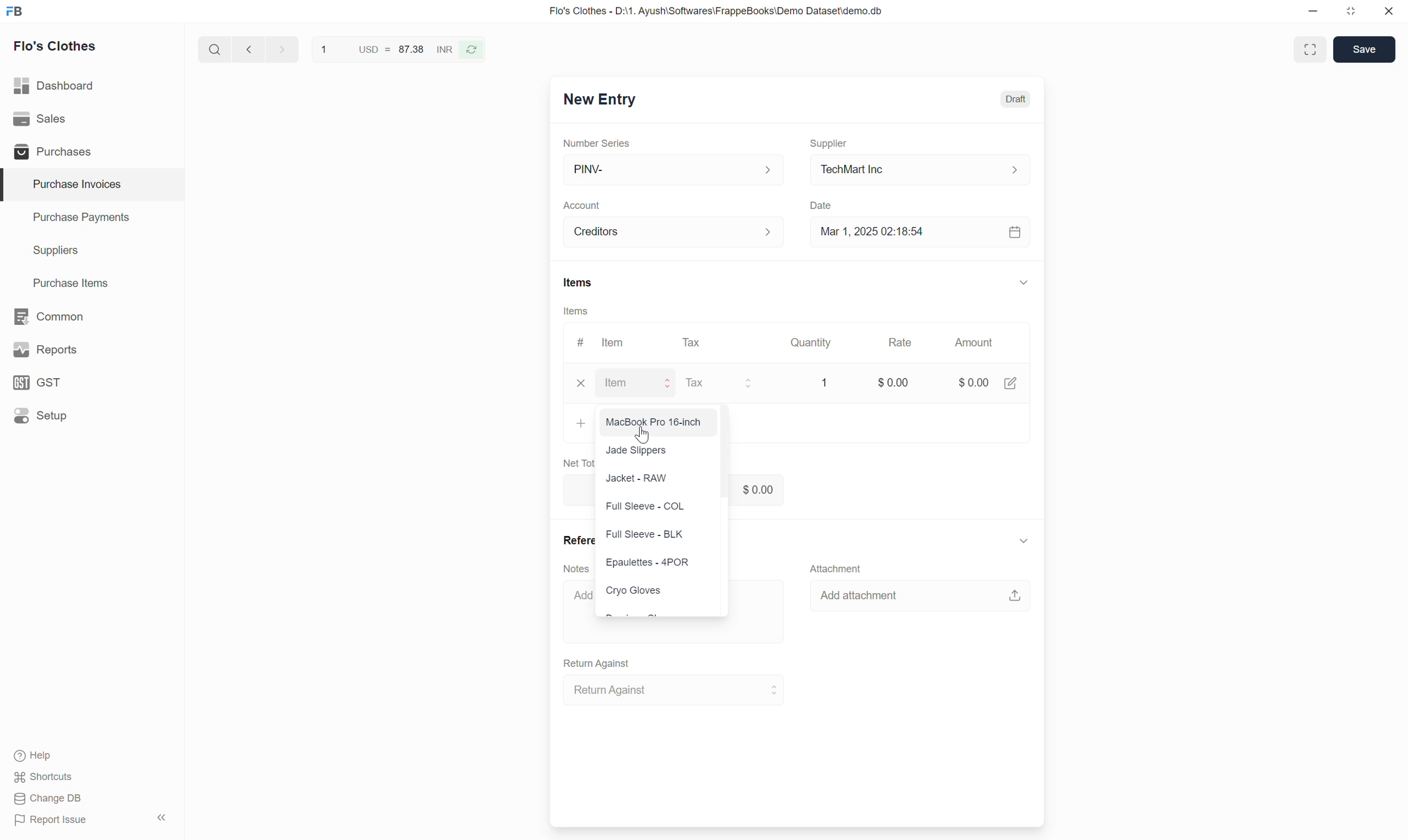 This screenshot has width=1408, height=840. I want to click on Suppliers, so click(92, 251).